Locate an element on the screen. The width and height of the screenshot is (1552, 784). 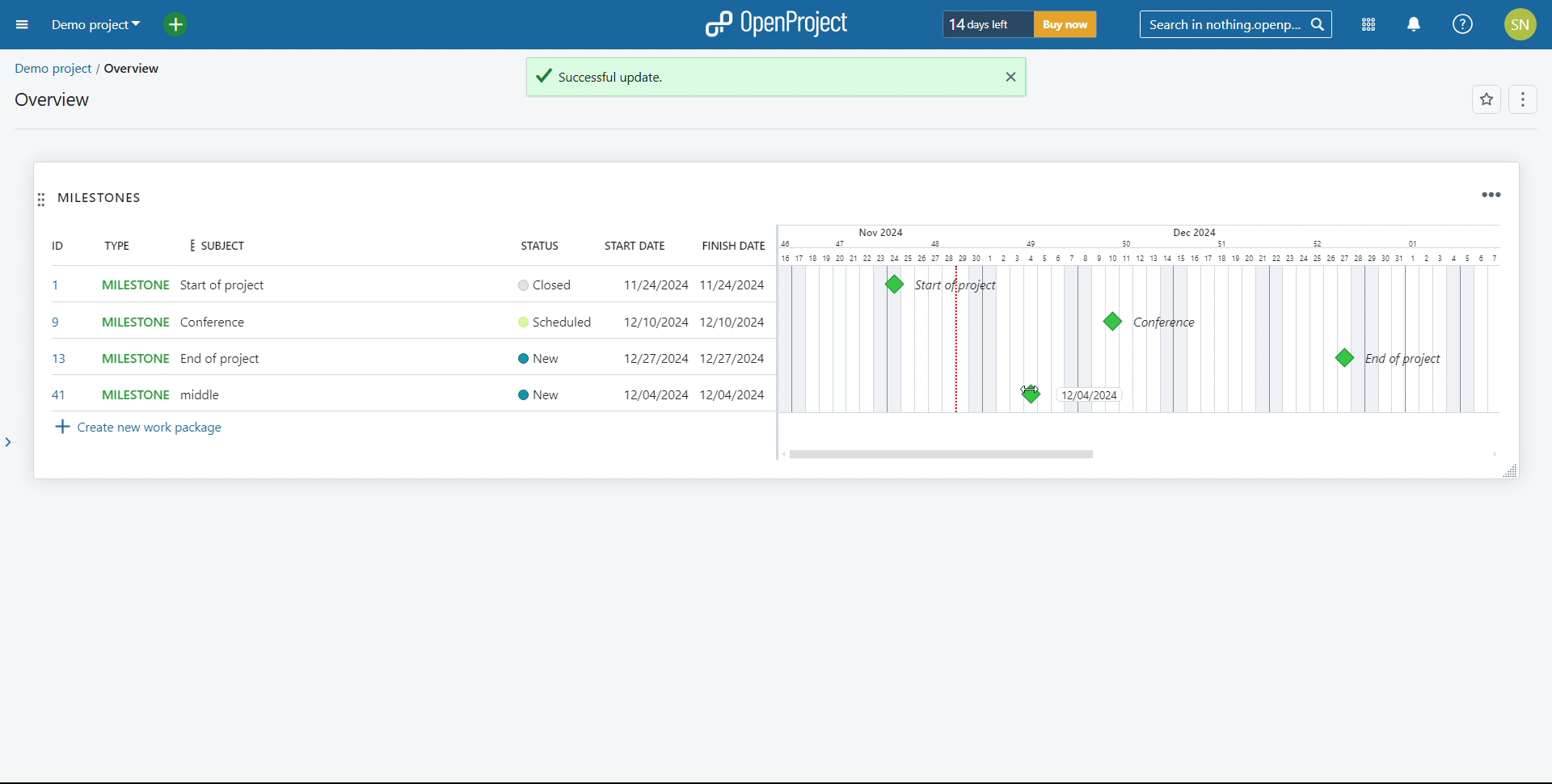
add to favorites is located at coordinates (1487, 99).